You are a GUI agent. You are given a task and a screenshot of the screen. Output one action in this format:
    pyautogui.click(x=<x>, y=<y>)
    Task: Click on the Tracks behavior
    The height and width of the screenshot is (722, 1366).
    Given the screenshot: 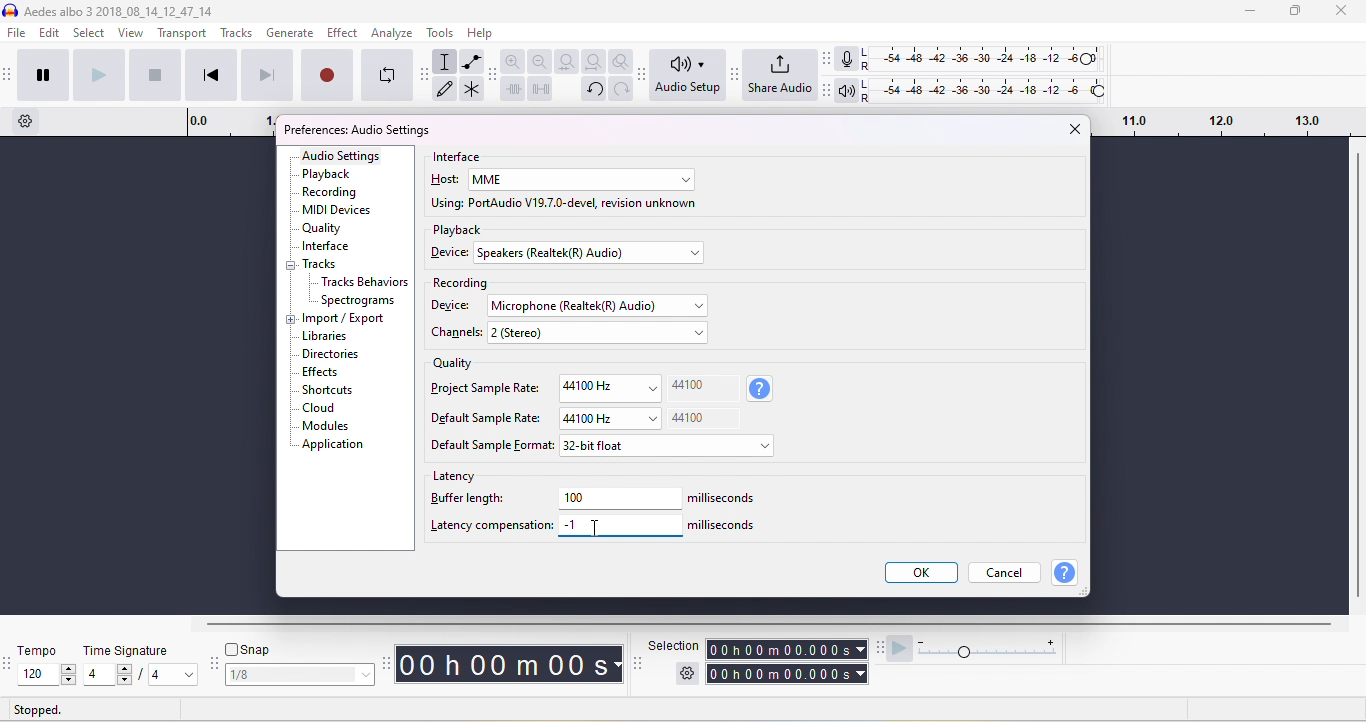 What is the action you would take?
    pyautogui.click(x=365, y=283)
    